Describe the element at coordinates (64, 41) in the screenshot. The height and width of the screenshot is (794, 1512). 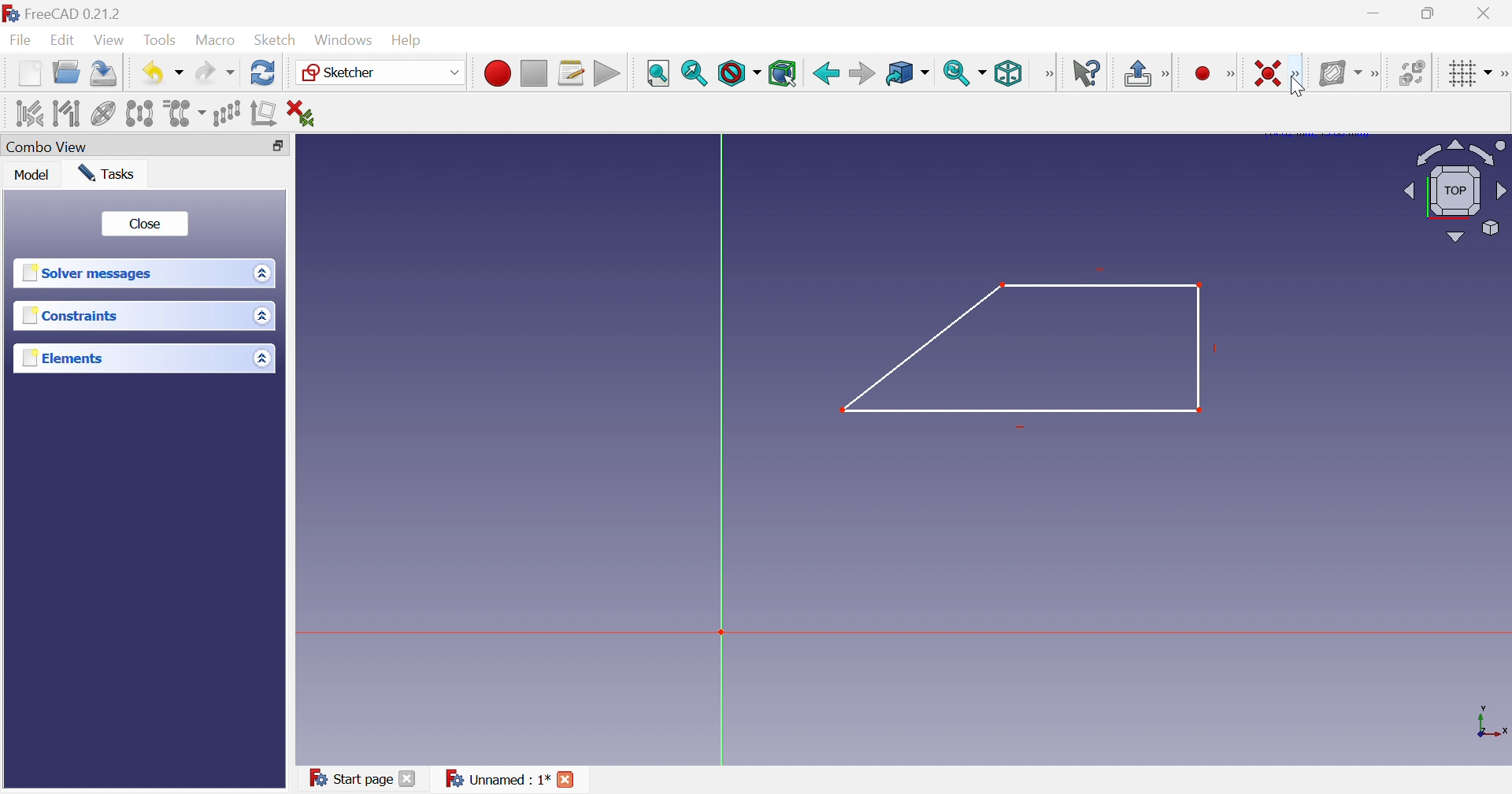
I see `Edit` at that location.